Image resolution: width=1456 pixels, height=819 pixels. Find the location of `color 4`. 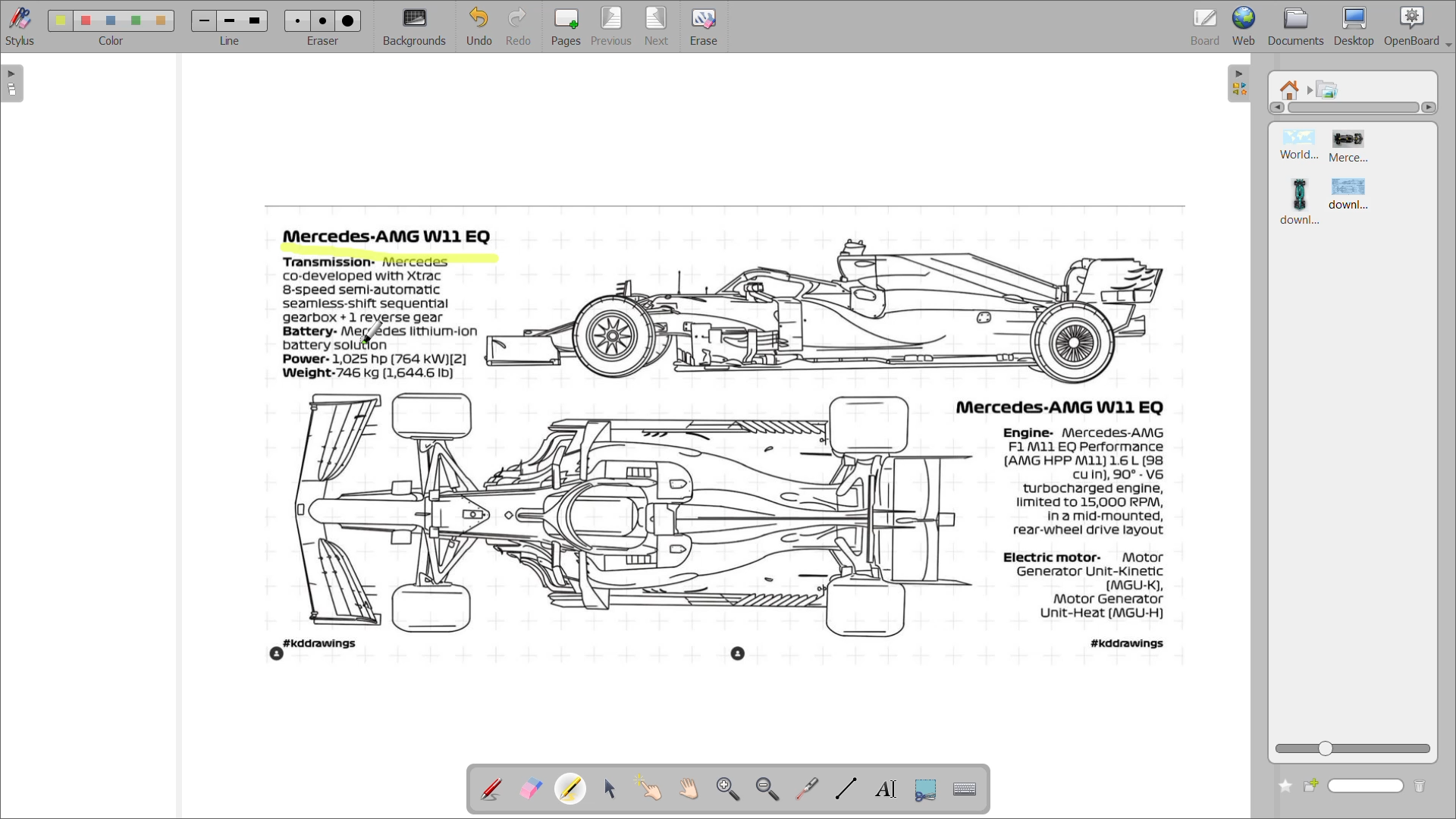

color 4 is located at coordinates (136, 22).